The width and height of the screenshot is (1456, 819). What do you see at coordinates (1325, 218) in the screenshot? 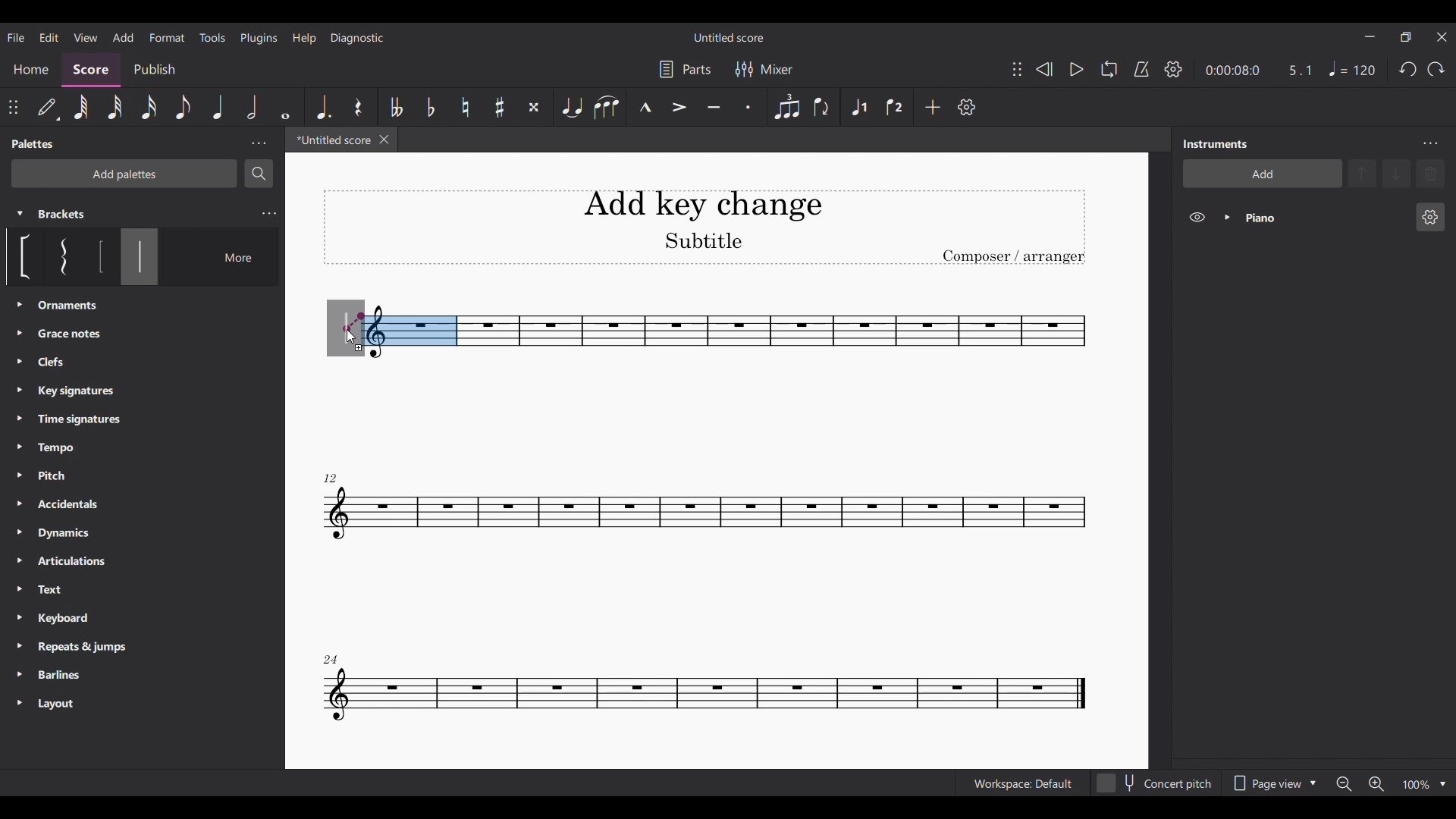
I see `Piano instrument` at bounding box center [1325, 218].